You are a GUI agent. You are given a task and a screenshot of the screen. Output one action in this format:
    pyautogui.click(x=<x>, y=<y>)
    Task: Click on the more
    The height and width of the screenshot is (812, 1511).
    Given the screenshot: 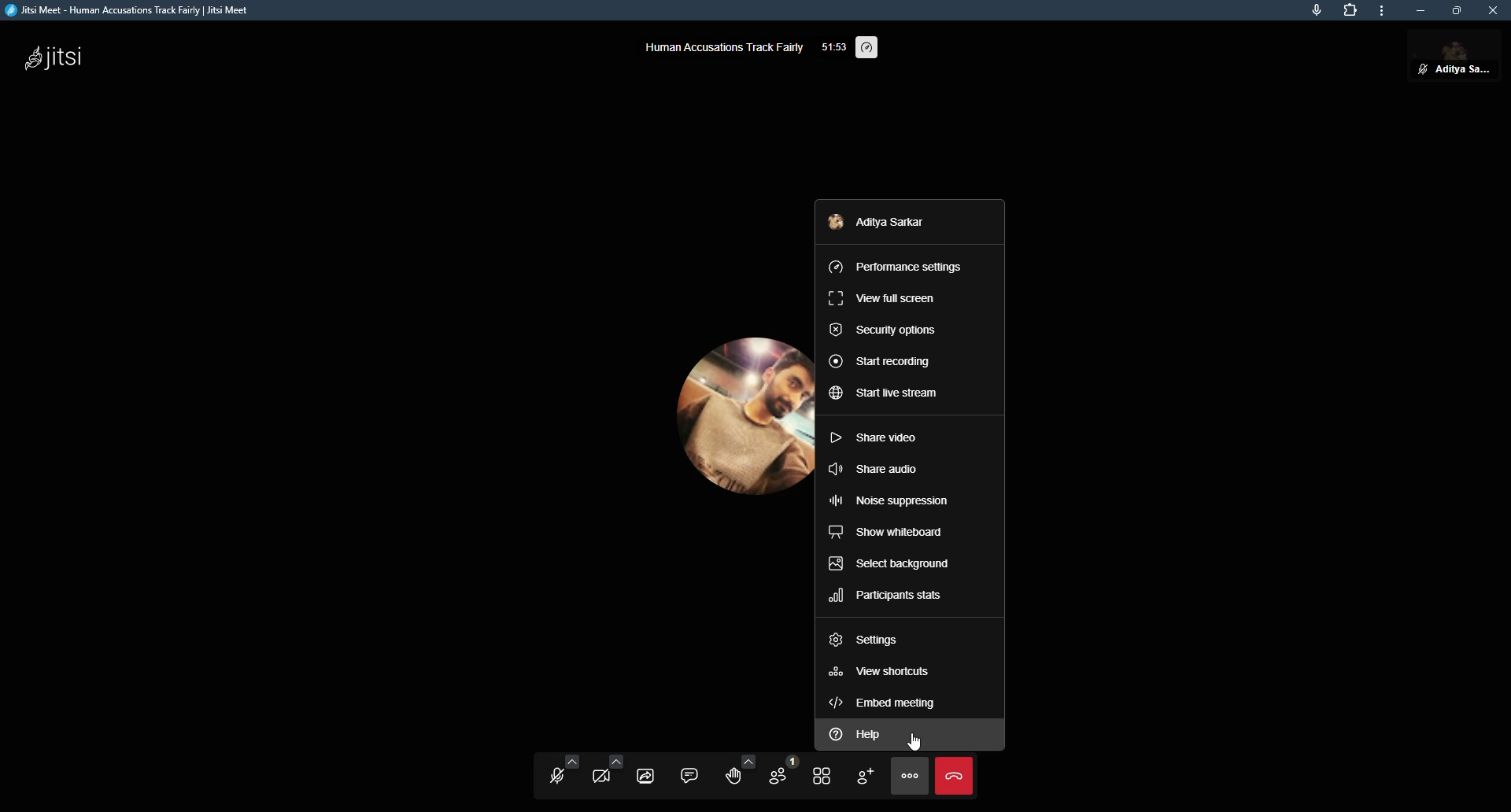 What is the action you would take?
    pyautogui.click(x=1380, y=9)
    